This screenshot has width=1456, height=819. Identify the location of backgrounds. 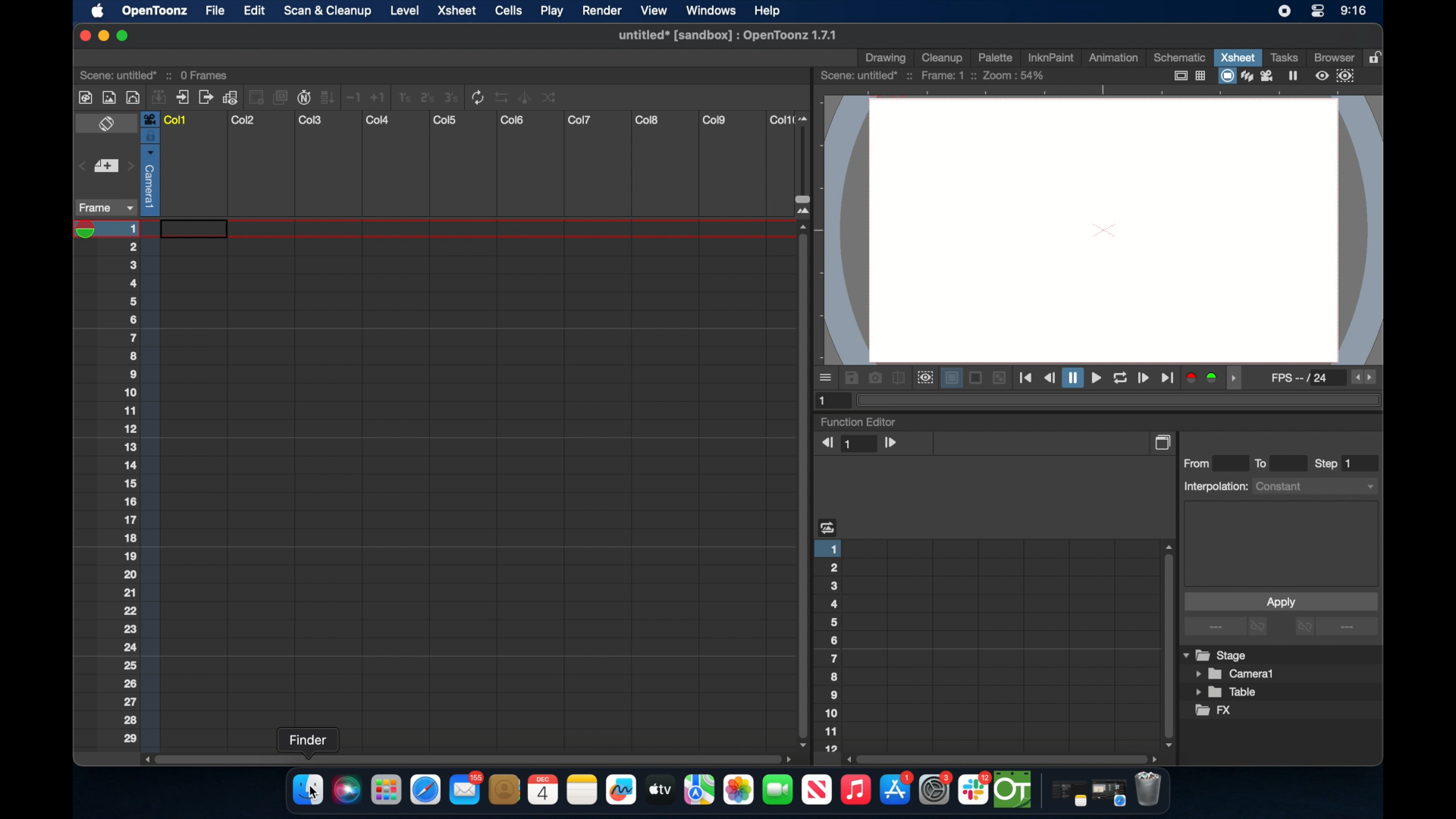
(973, 378).